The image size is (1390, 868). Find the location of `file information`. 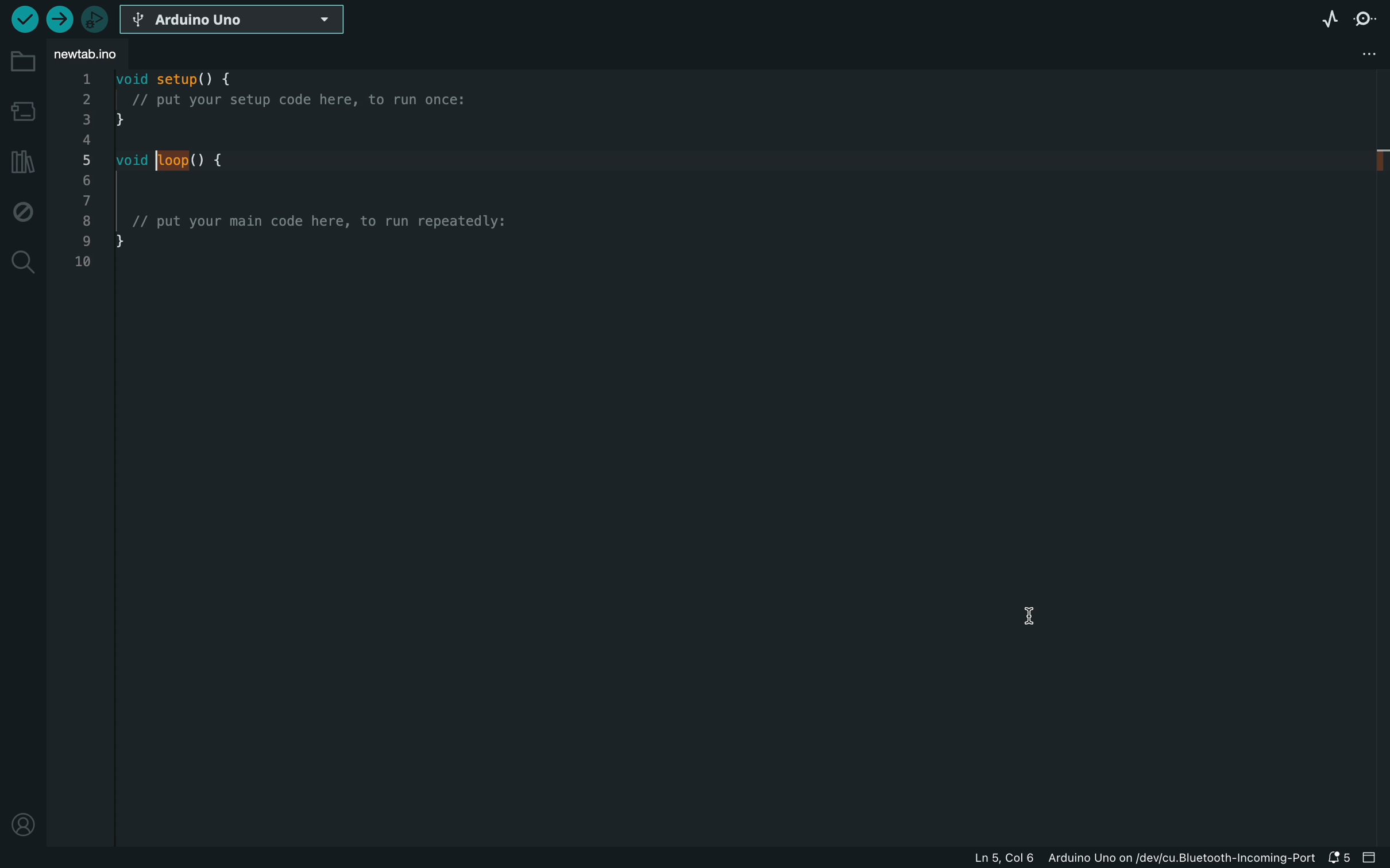

file information is located at coordinates (1143, 858).